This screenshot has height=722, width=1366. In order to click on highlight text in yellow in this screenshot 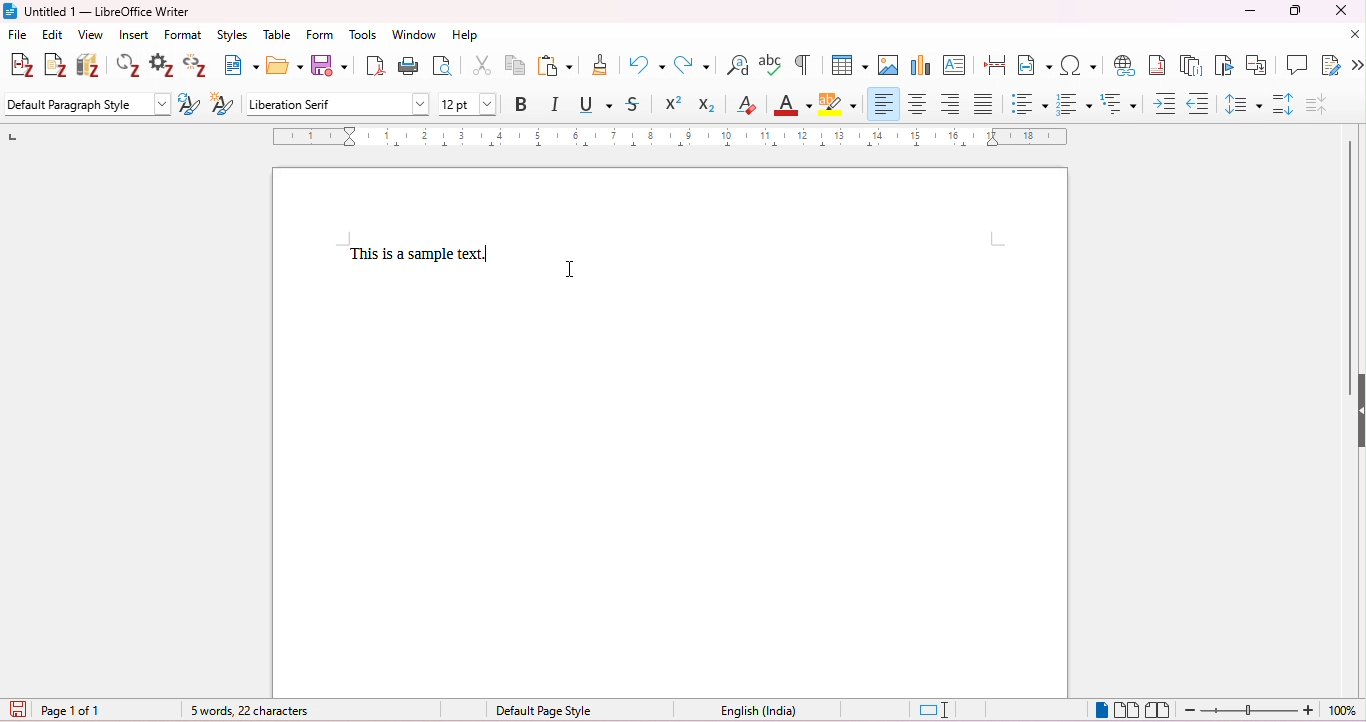, I will do `click(838, 105)`.